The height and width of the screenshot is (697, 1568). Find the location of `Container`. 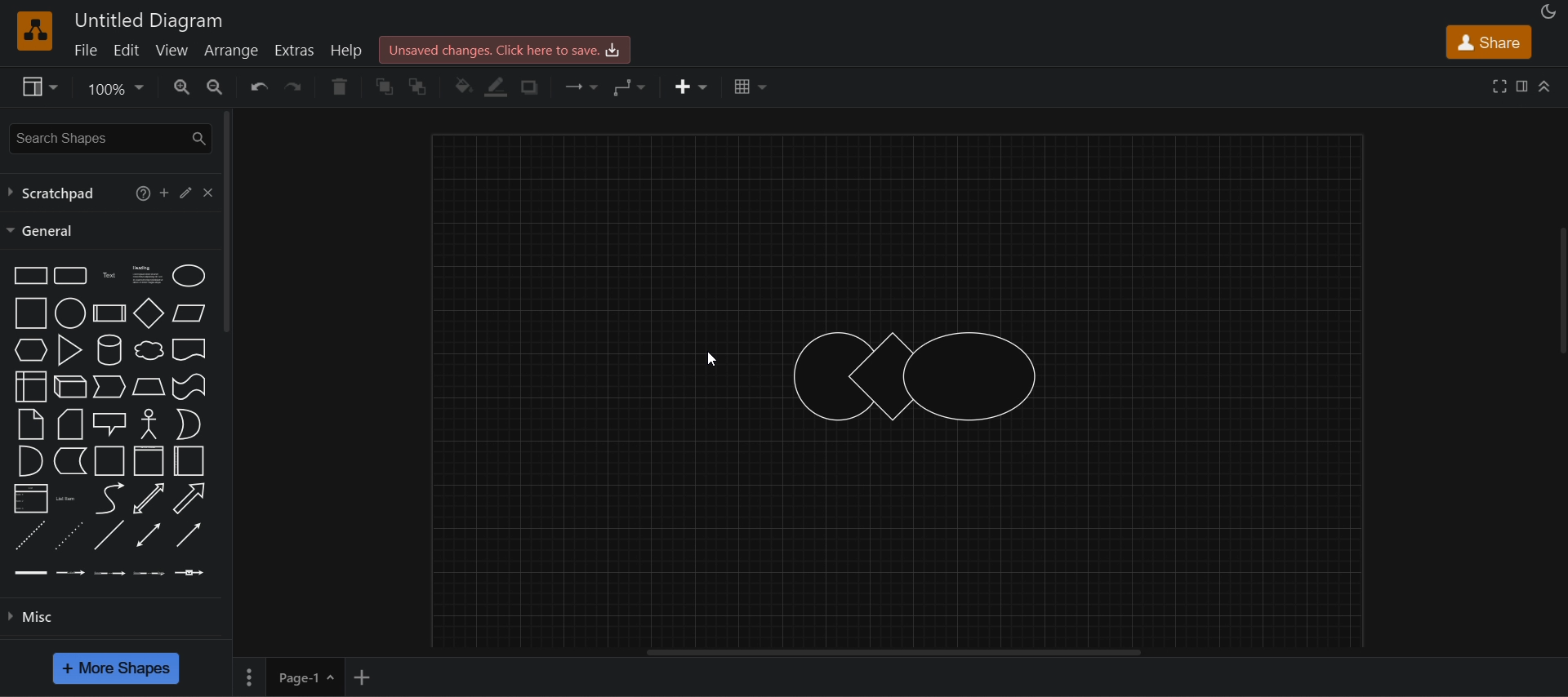

Container is located at coordinates (110, 460).